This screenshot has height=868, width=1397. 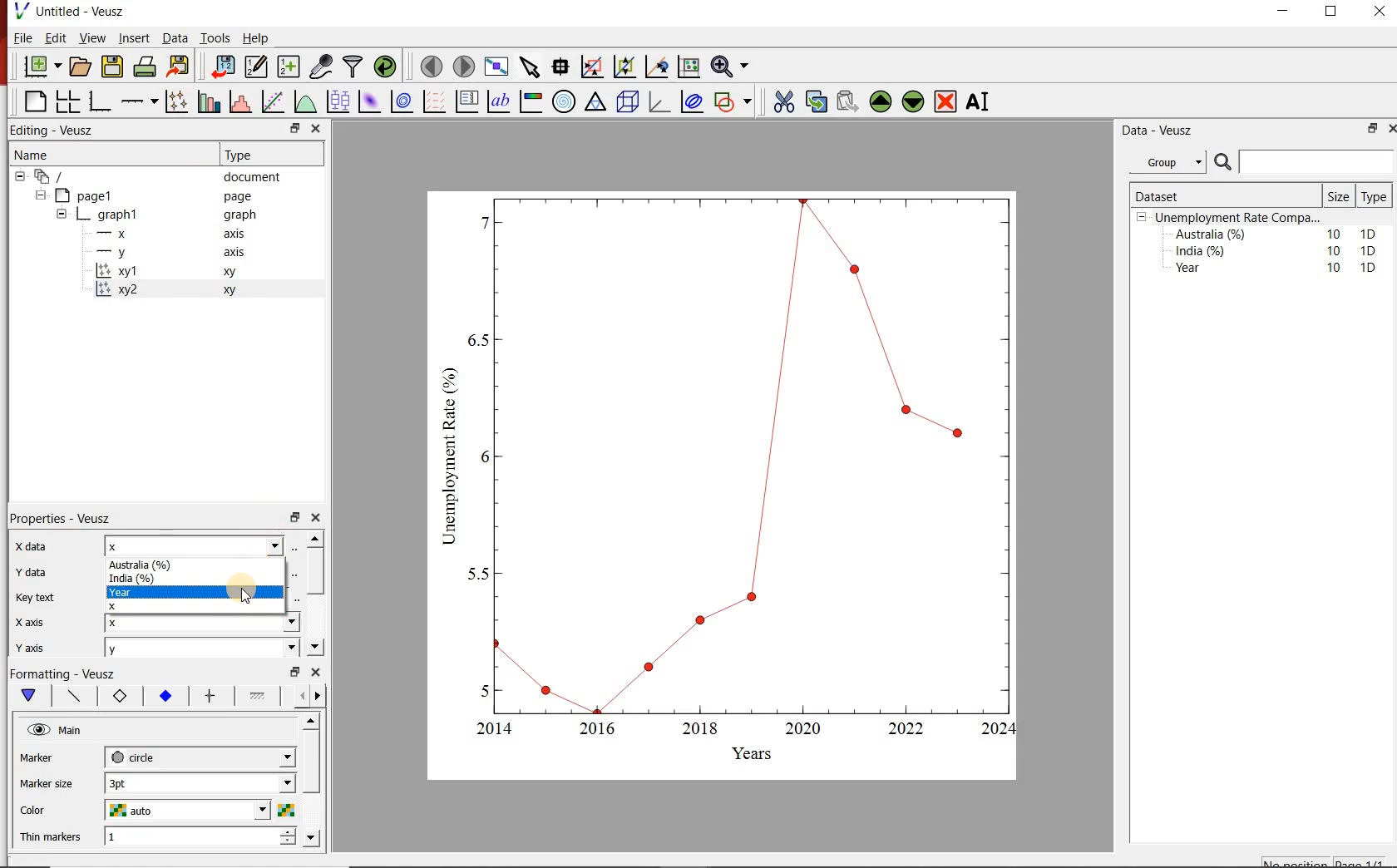 What do you see at coordinates (81, 67) in the screenshot?
I see `open document` at bounding box center [81, 67].